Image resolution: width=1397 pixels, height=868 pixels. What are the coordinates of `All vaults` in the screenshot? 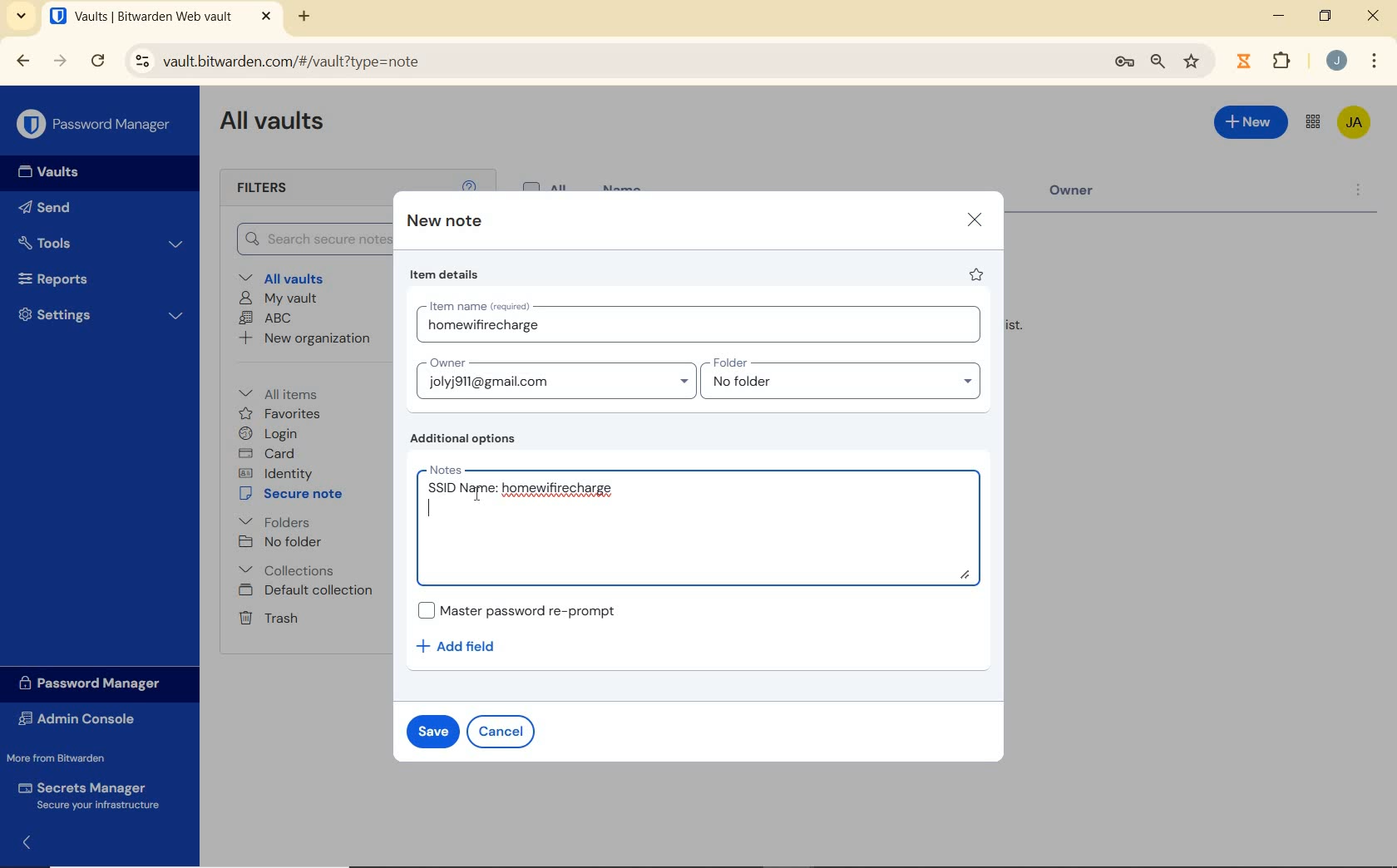 It's located at (284, 277).